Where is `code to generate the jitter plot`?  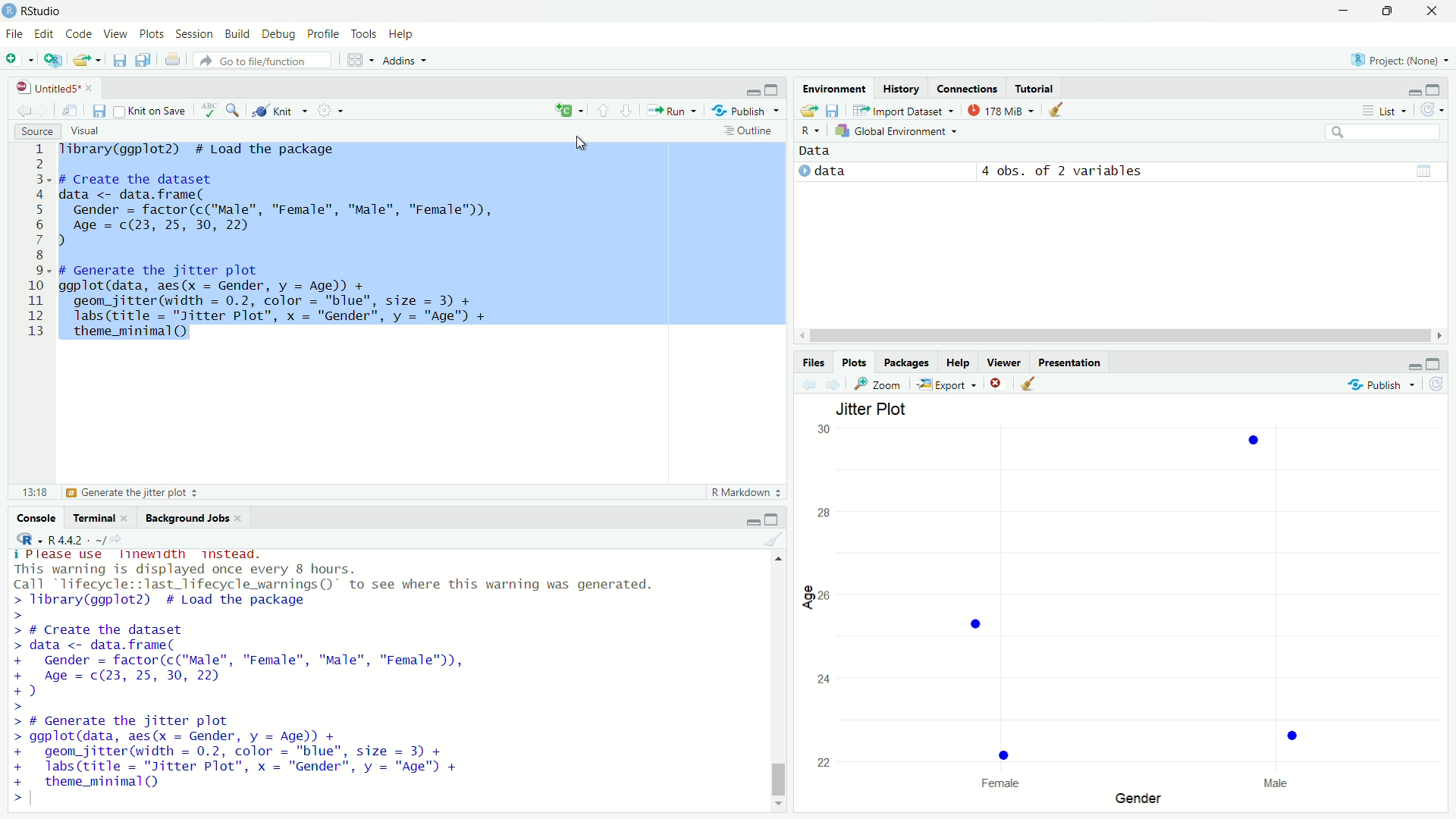 code to generate the jitter plot is located at coordinates (305, 301).